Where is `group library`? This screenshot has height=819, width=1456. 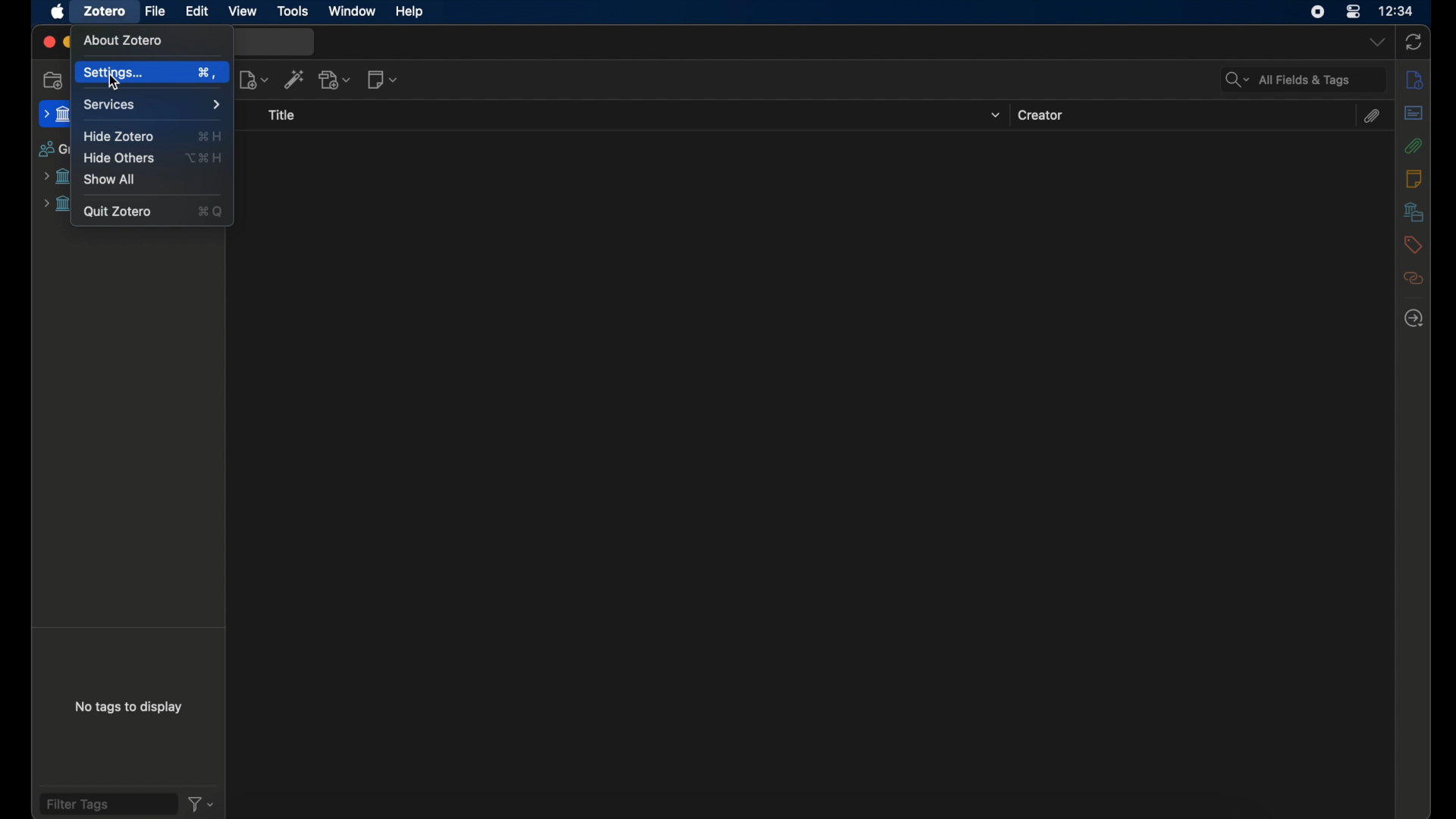 group library is located at coordinates (56, 177).